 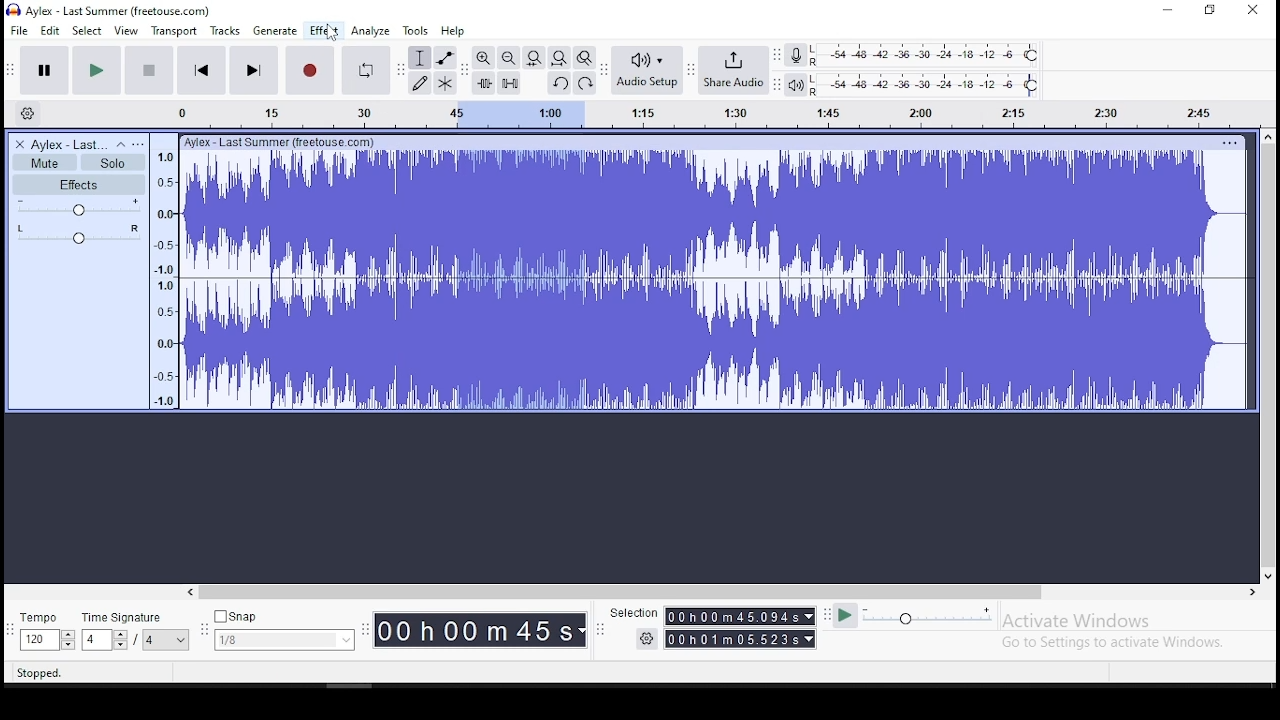 What do you see at coordinates (1210, 11) in the screenshot?
I see `restore` at bounding box center [1210, 11].